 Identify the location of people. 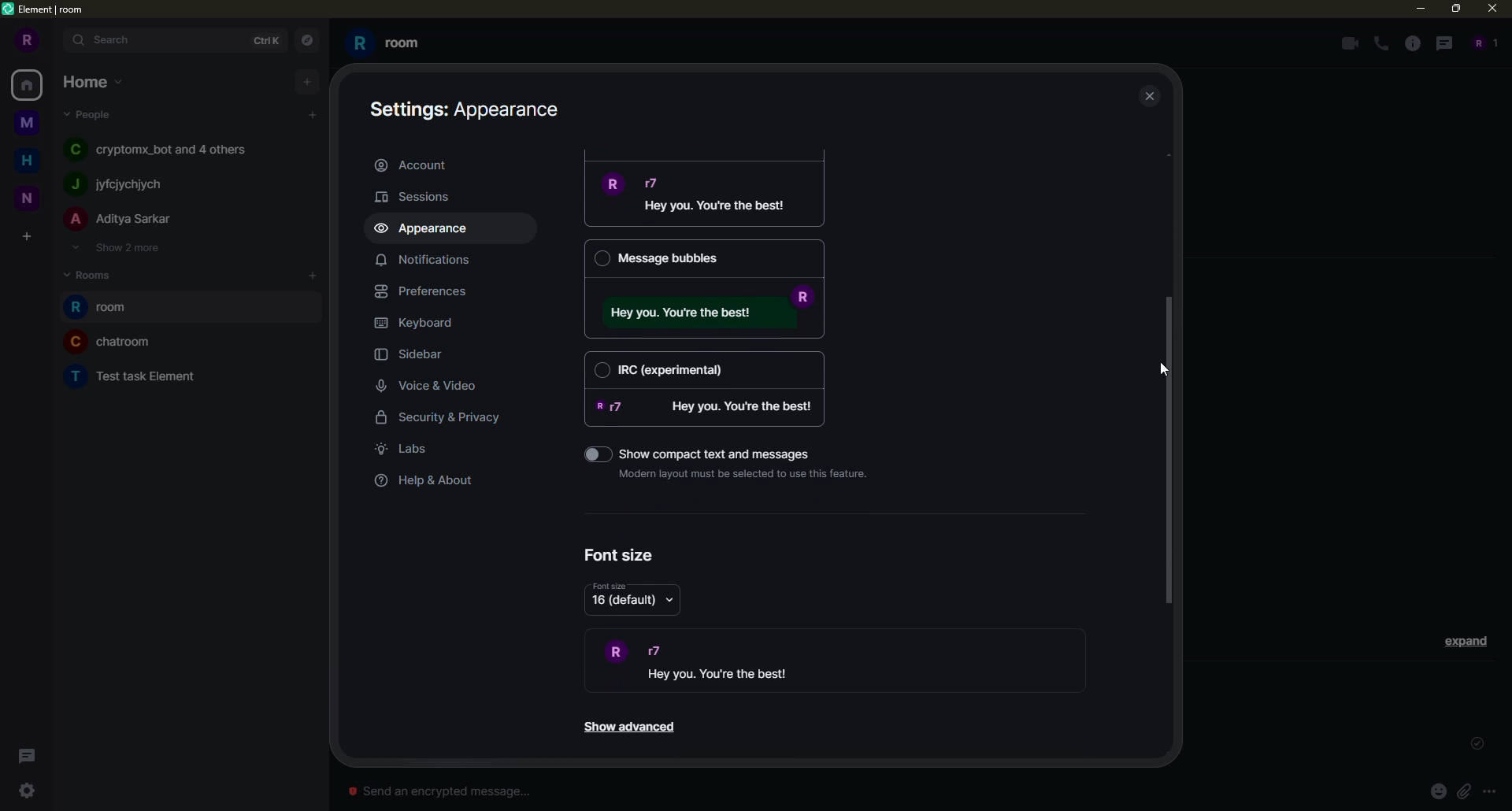
(120, 184).